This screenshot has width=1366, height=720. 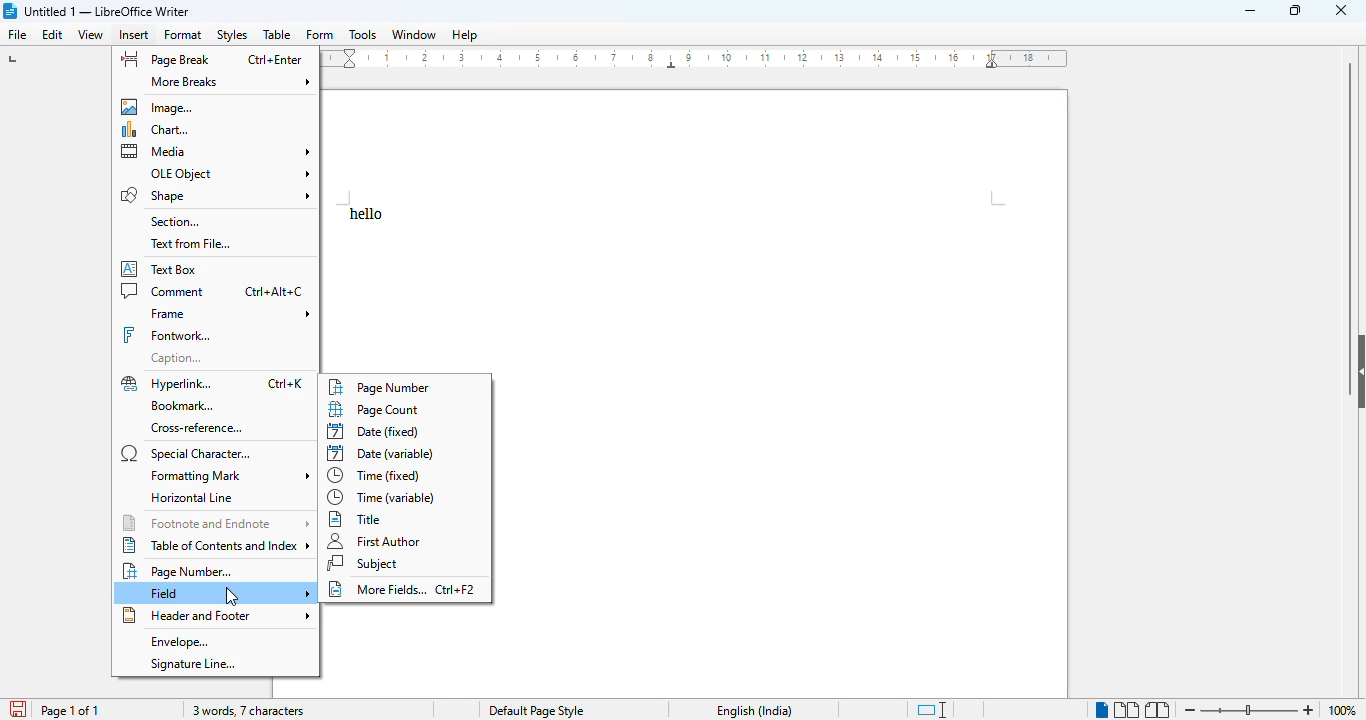 What do you see at coordinates (183, 35) in the screenshot?
I see `format` at bounding box center [183, 35].